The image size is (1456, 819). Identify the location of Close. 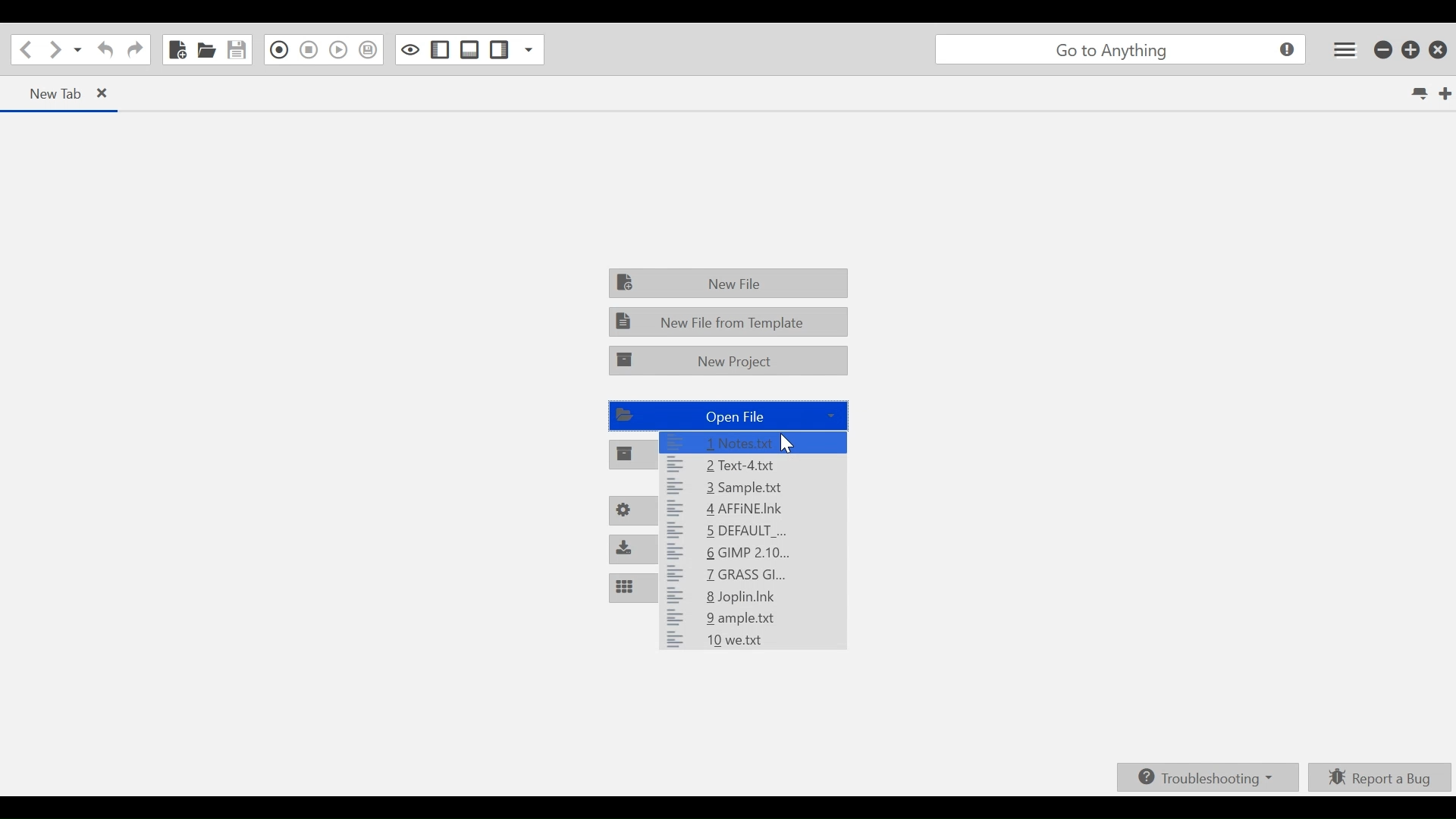
(1437, 49).